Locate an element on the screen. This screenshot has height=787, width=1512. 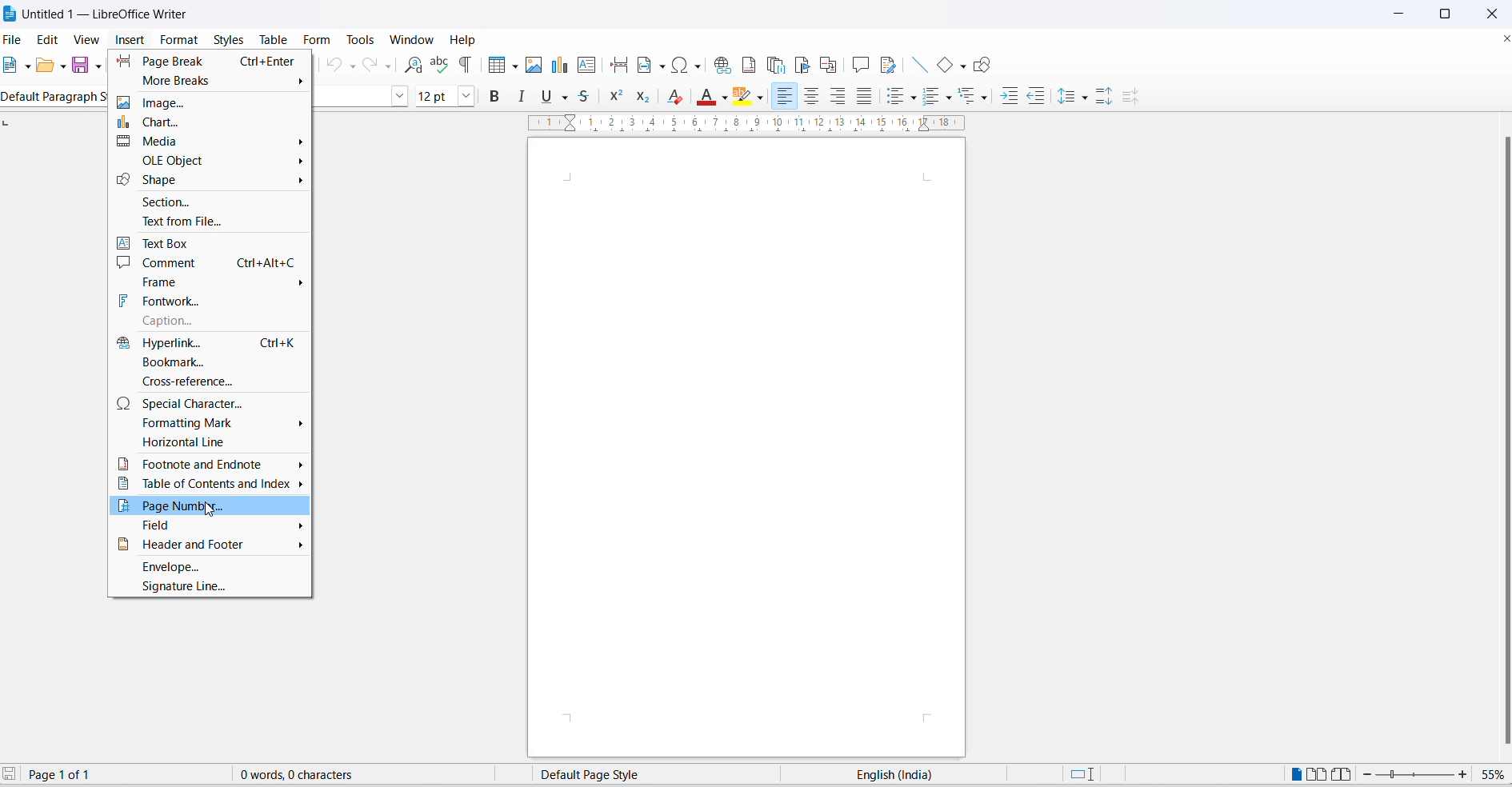
caption is located at coordinates (209, 322).